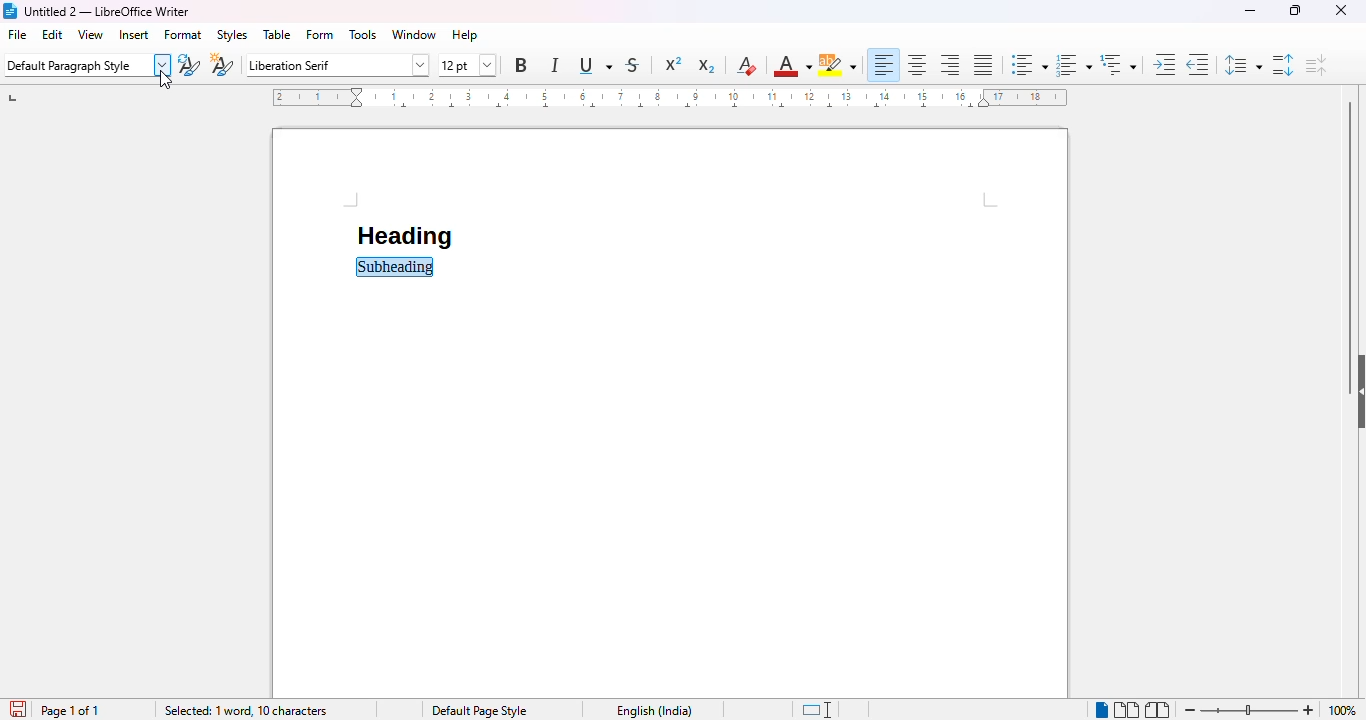 This screenshot has height=720, width=1366. What do you see at coordinates (53, 34) in the screenshot?
I see `edit` at bounding box center [53, 34].